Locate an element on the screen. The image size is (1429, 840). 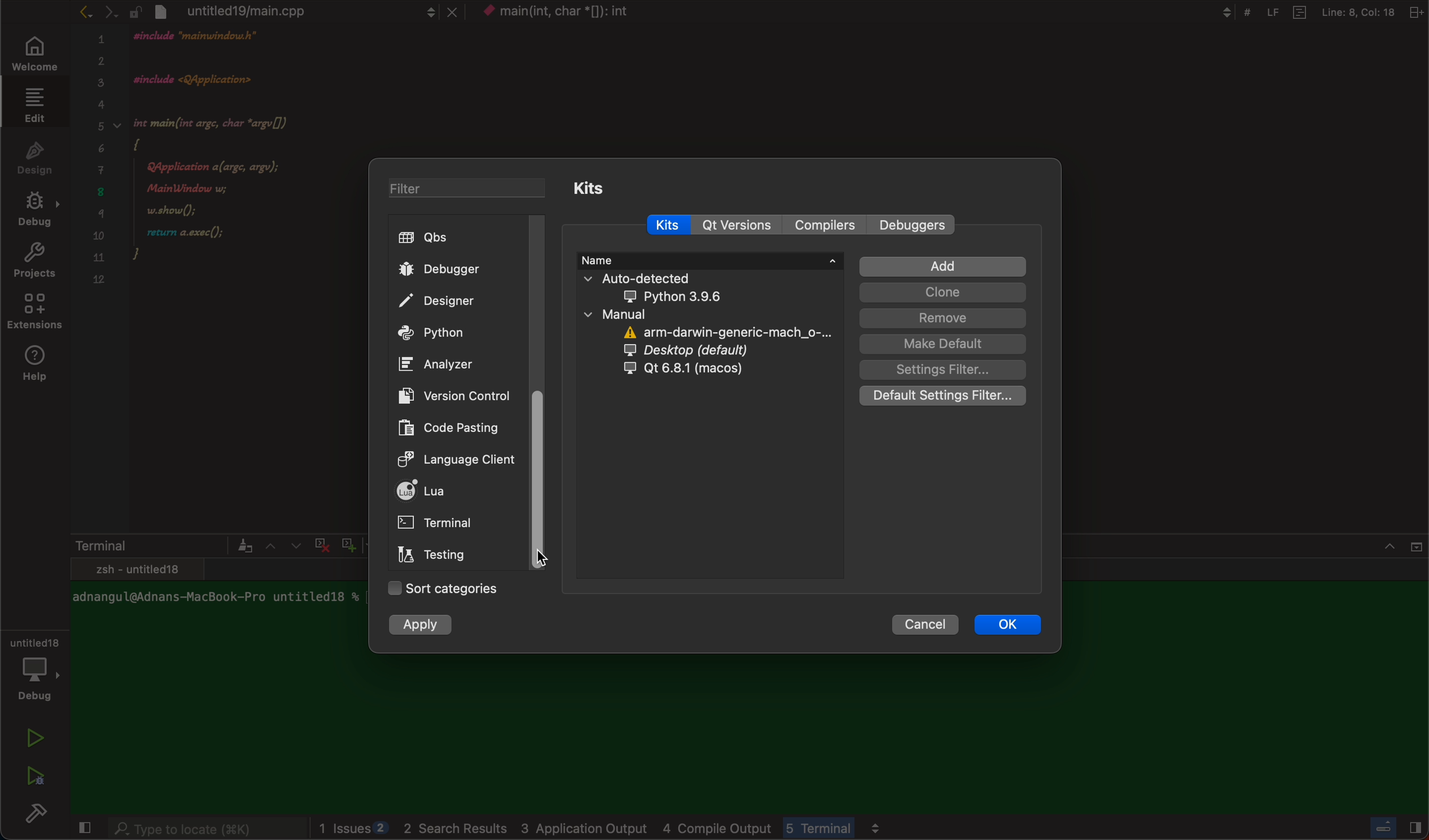
remove is located at coordinates (943, 318).